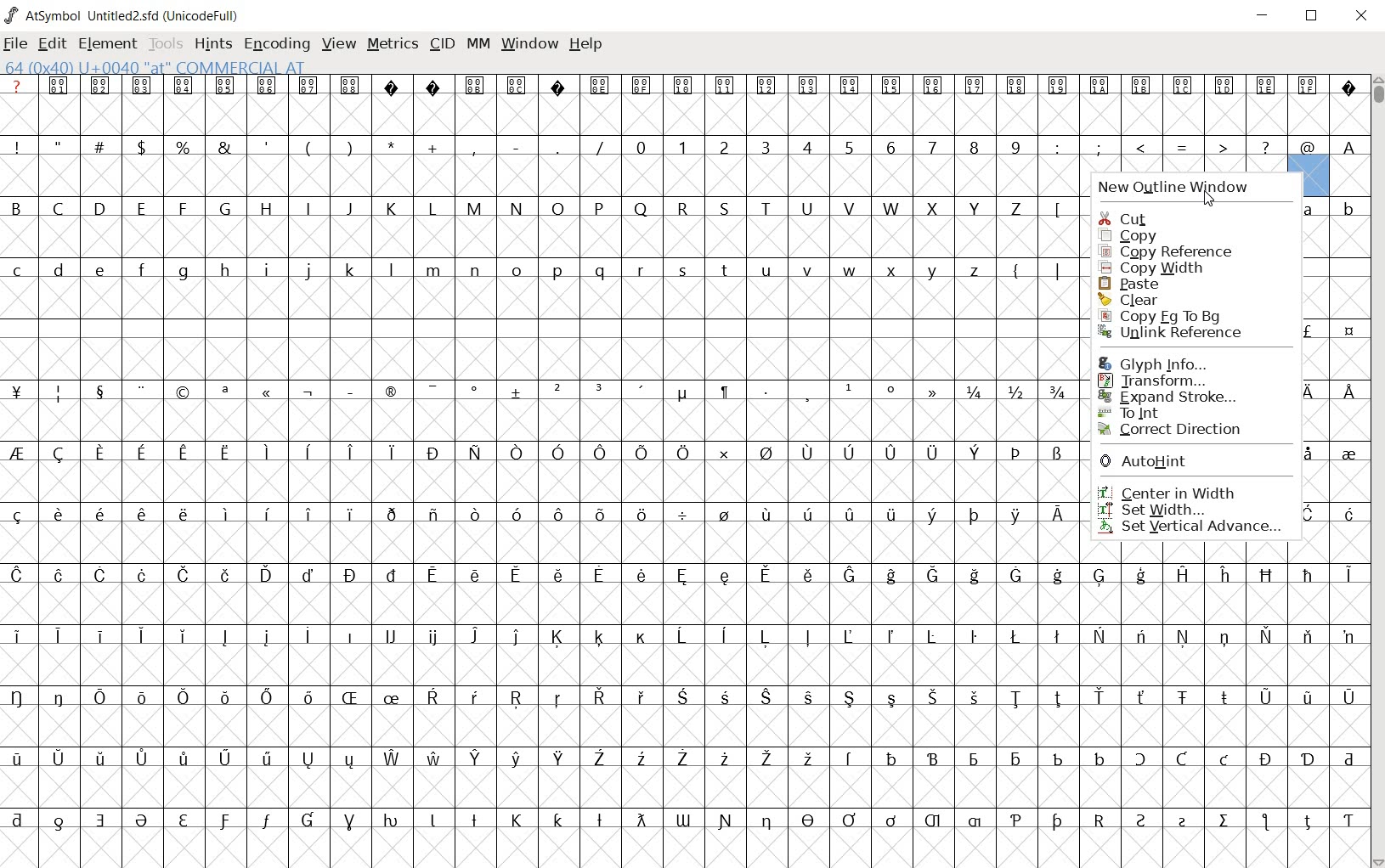 The height and width of the screenshot is (868, 1385). I want to click on NEW OUTLINE WINDOW, so click(1195, 182).